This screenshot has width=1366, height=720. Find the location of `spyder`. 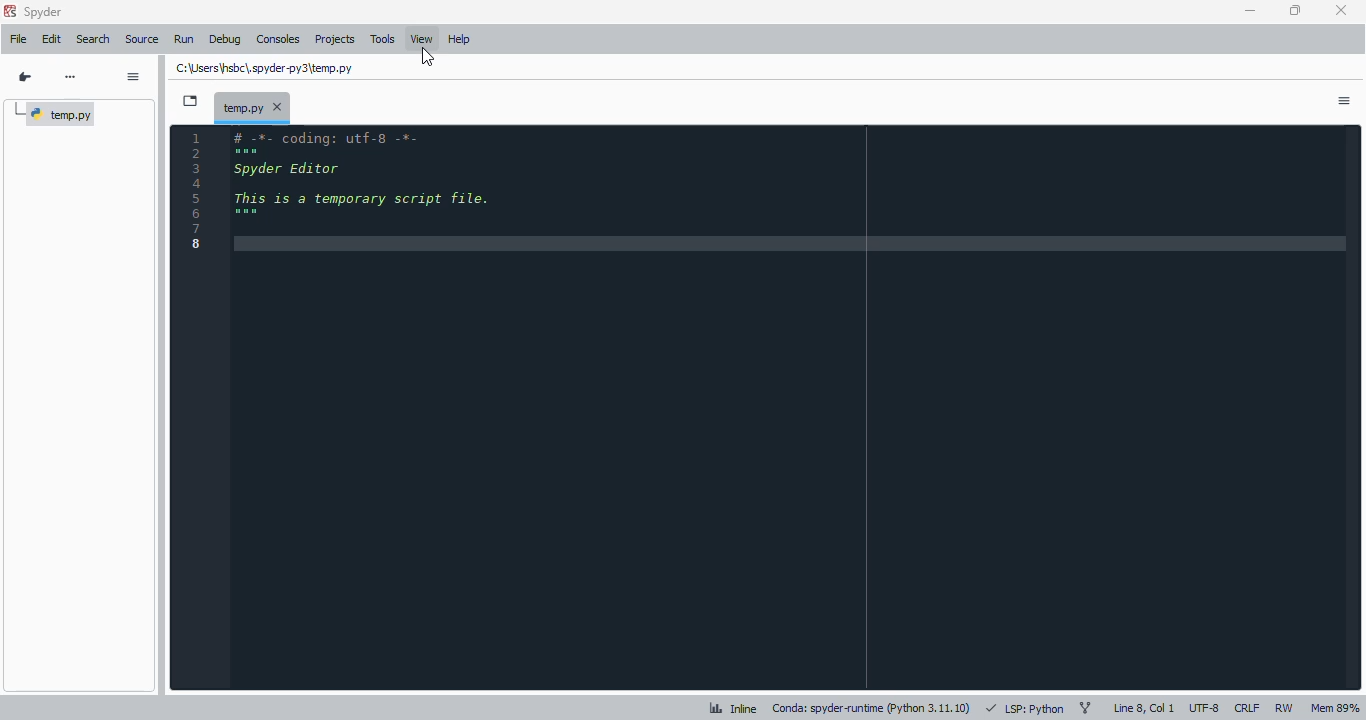

spyder is located at coordinates (42, 12).